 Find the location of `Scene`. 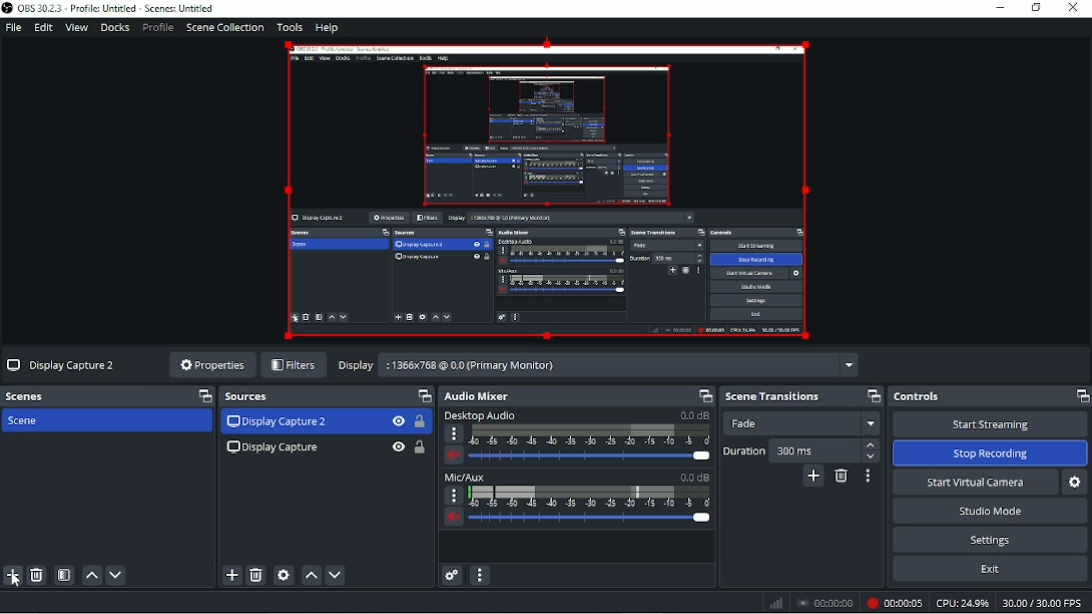

Scene is located at coordinates (36, 422).